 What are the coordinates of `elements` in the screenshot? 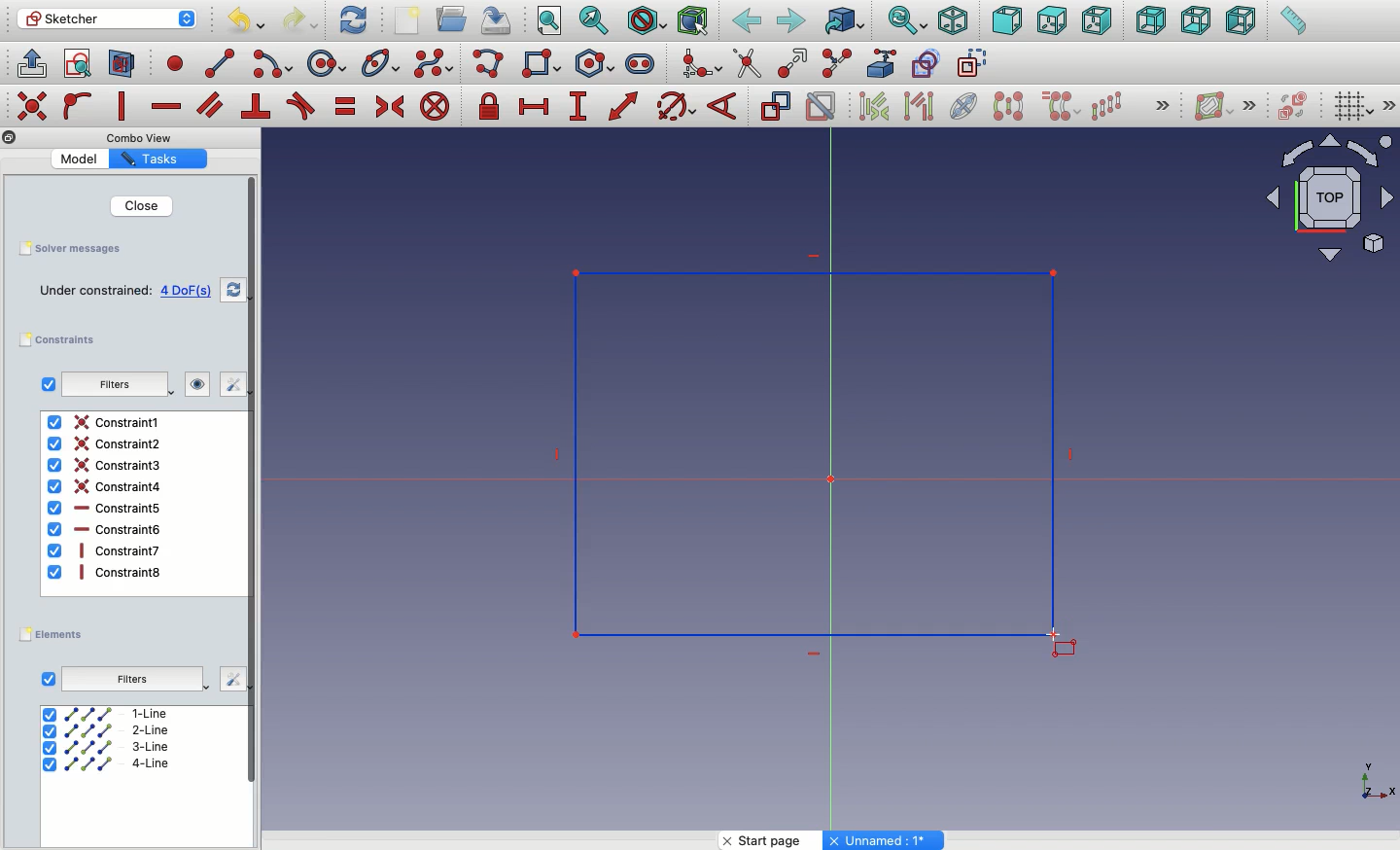 It's located at (54, 635).